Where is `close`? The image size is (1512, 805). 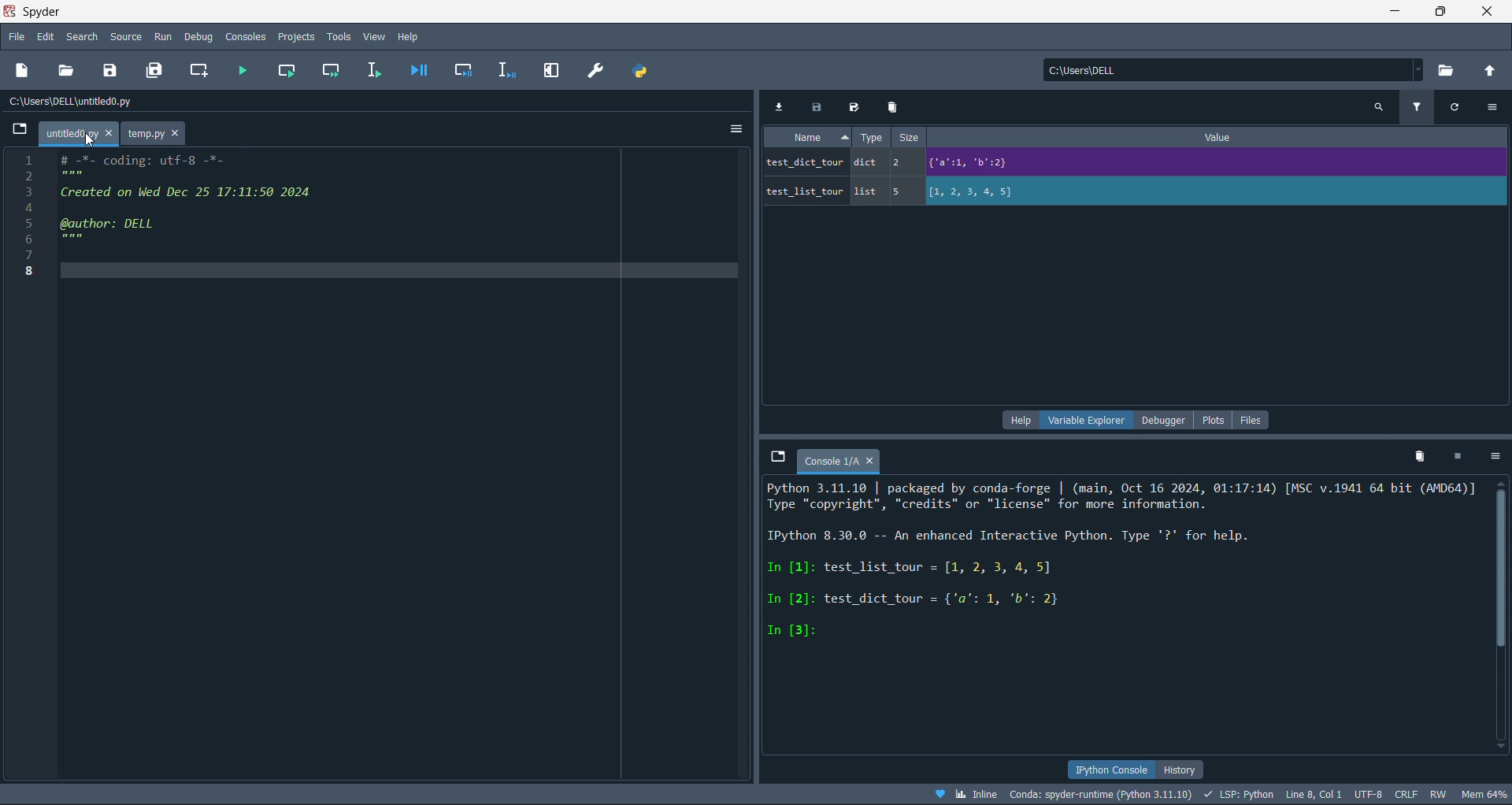 close is located at coordinates (1489, 13).